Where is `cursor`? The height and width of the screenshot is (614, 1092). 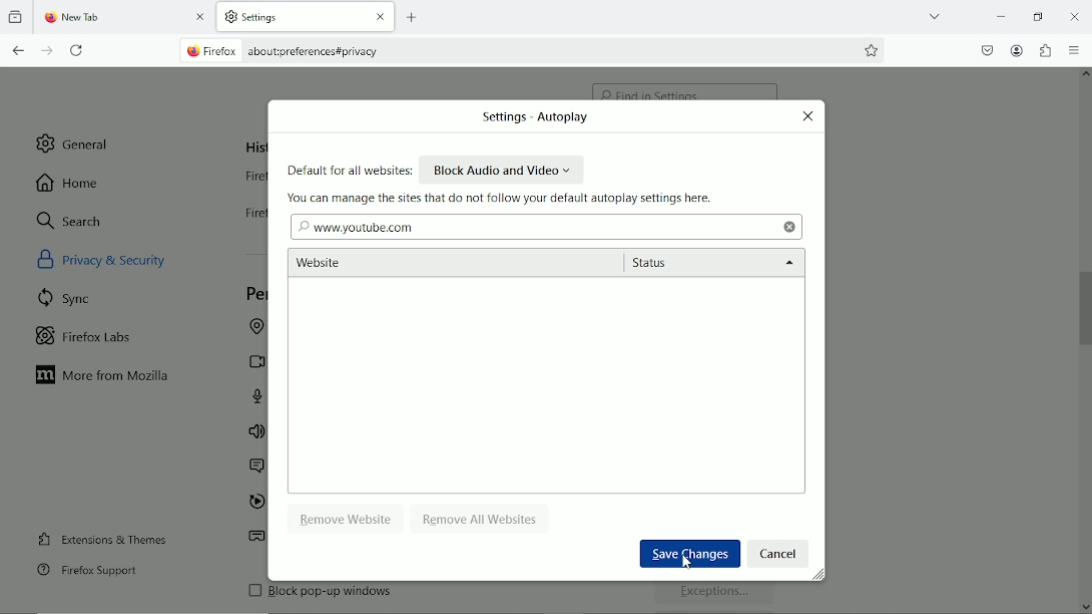
cursor is located at coordinates (687, 562).